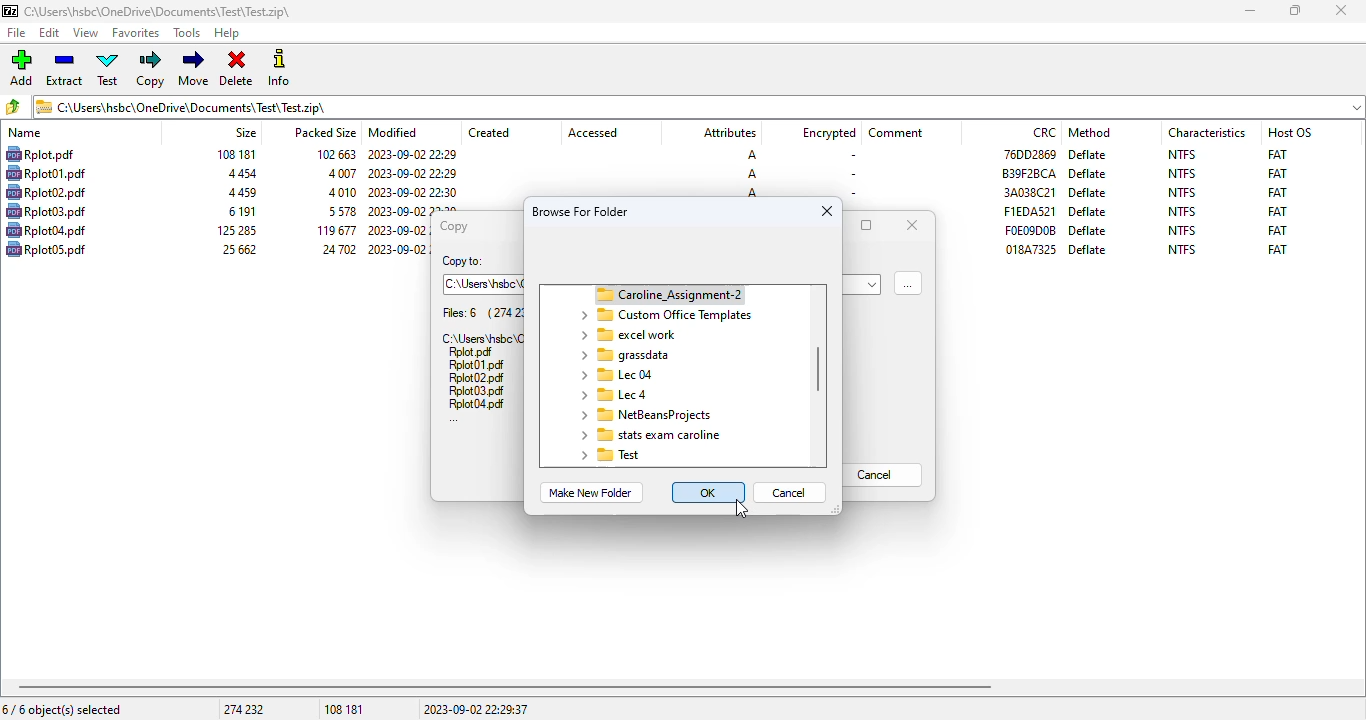  I want to click on .zip archive, so click(157, 11).